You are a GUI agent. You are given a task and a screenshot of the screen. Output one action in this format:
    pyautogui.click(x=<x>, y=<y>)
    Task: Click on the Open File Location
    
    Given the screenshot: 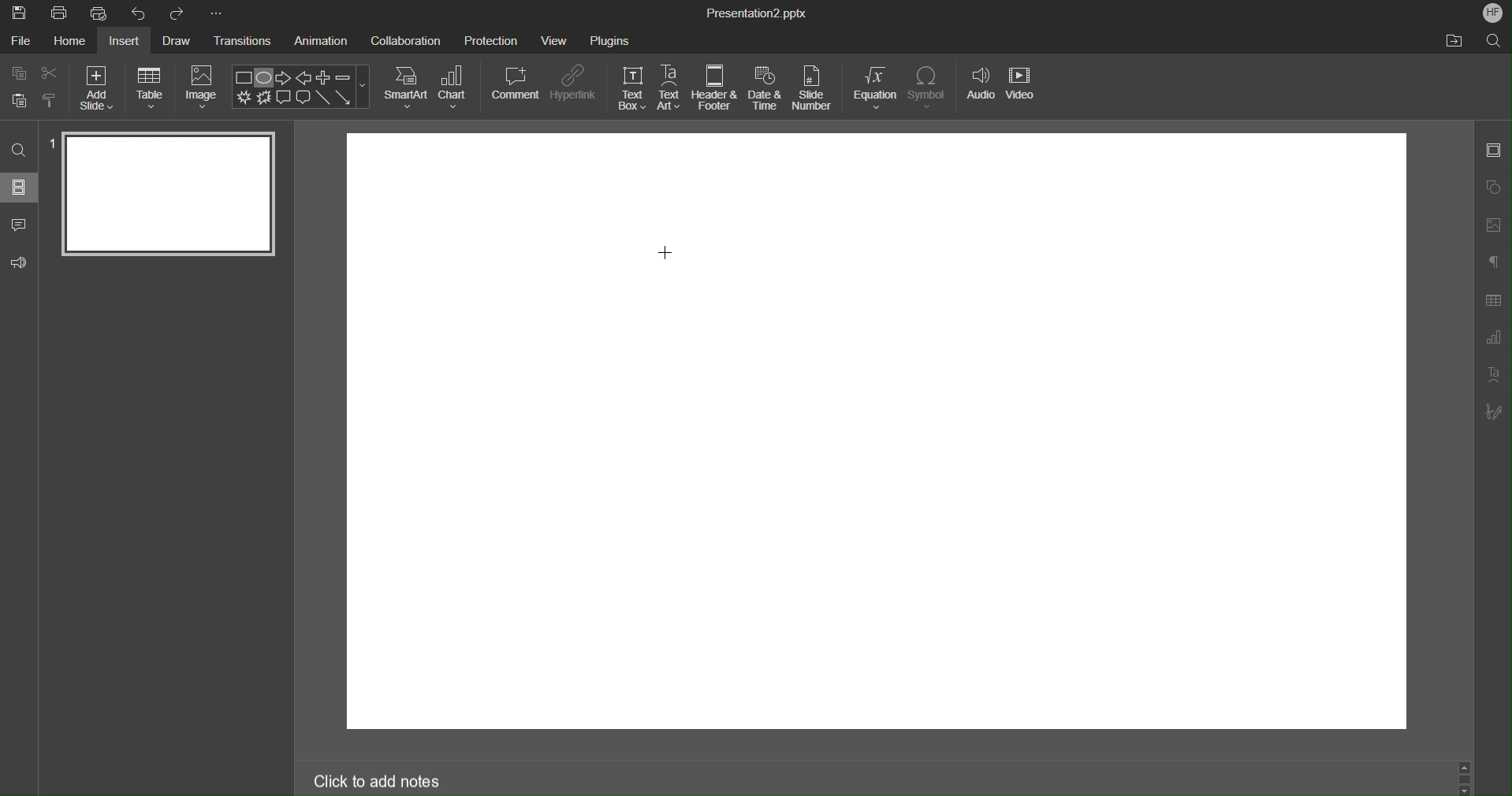 What is the action you would take?
    pyautogui.click(x=1454, y=42)
    